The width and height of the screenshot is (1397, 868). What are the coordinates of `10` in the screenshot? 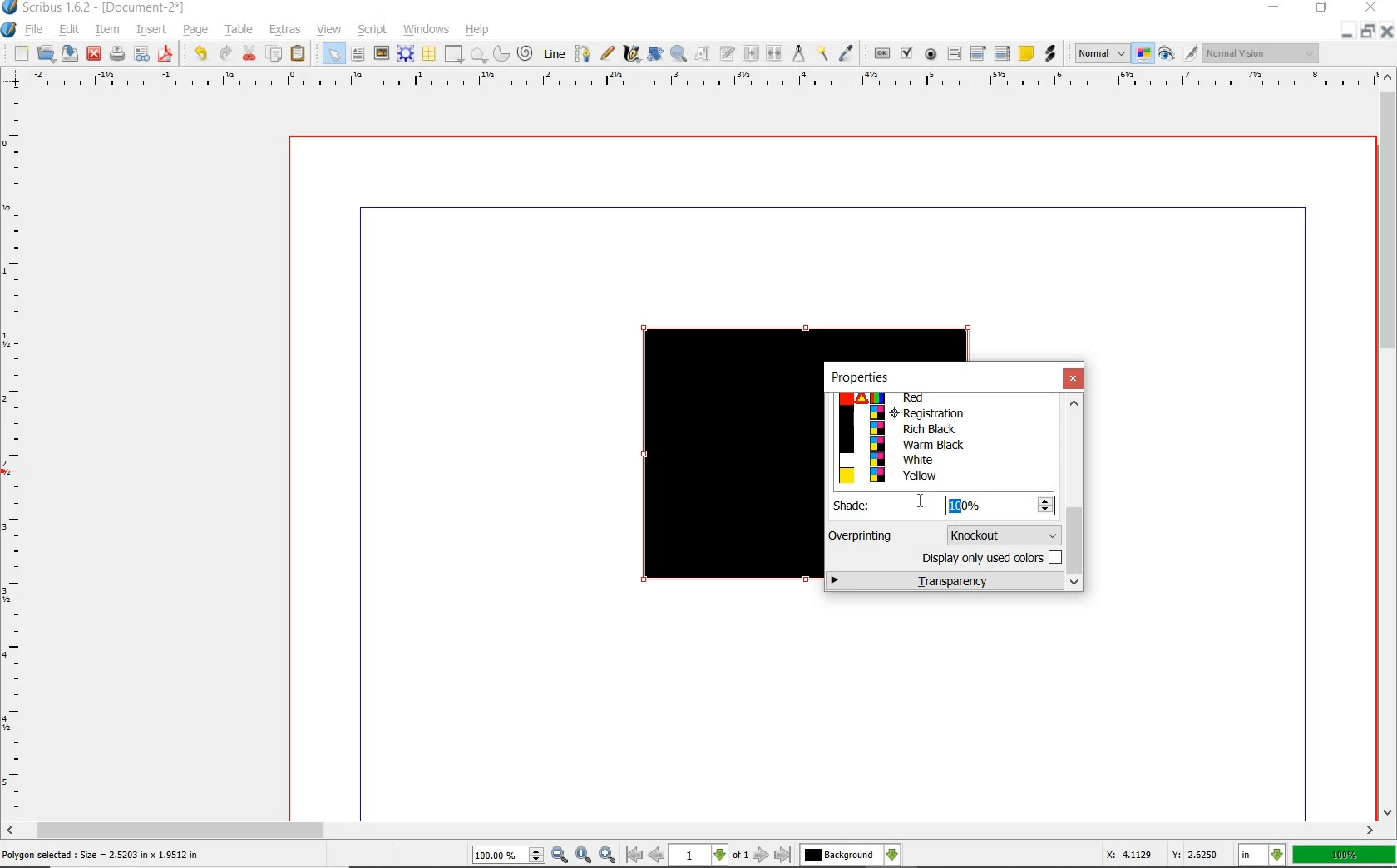 It's located at (954, 506).